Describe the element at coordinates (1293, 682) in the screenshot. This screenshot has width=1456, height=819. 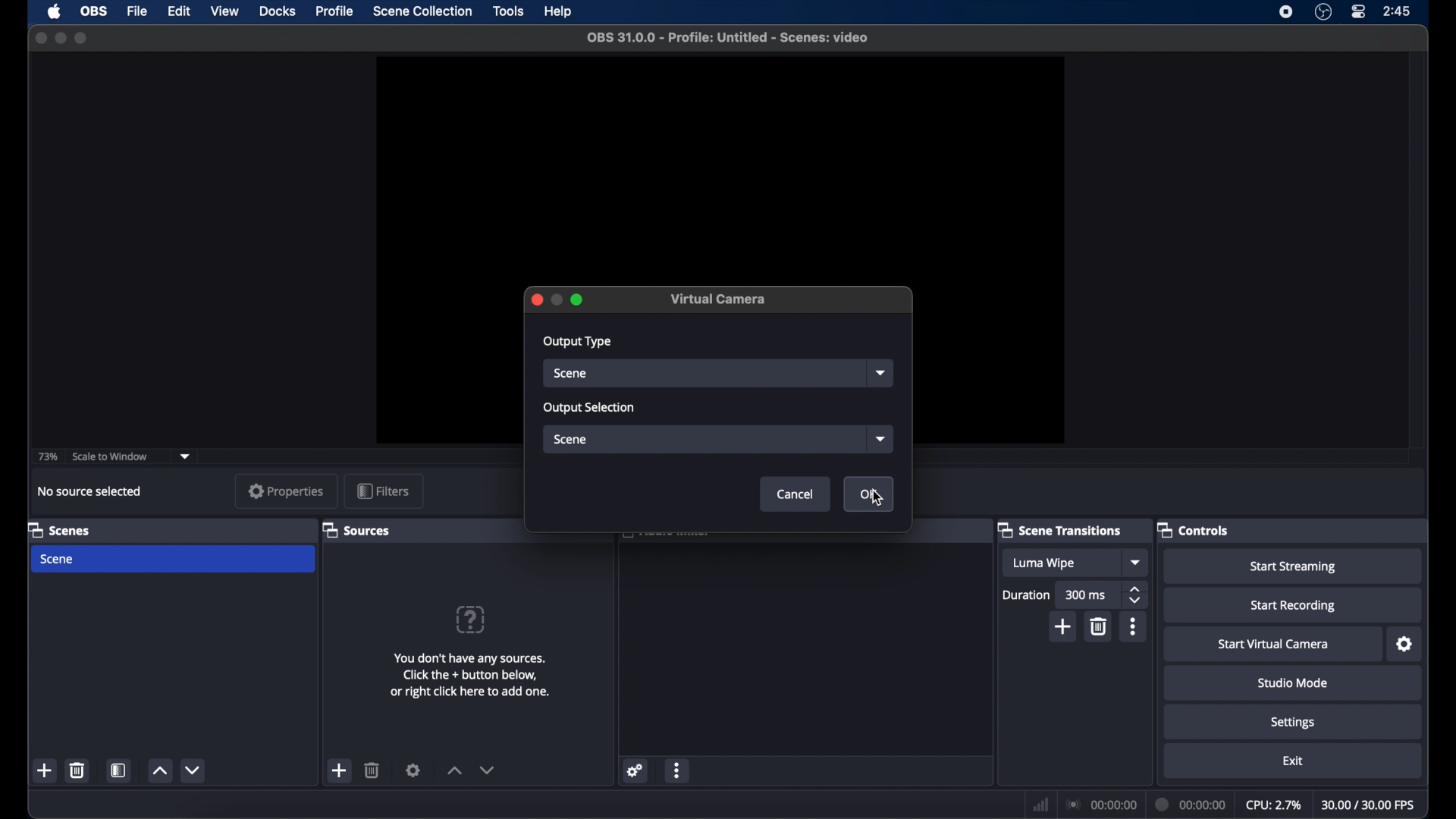
I see `studio mode` at that location.